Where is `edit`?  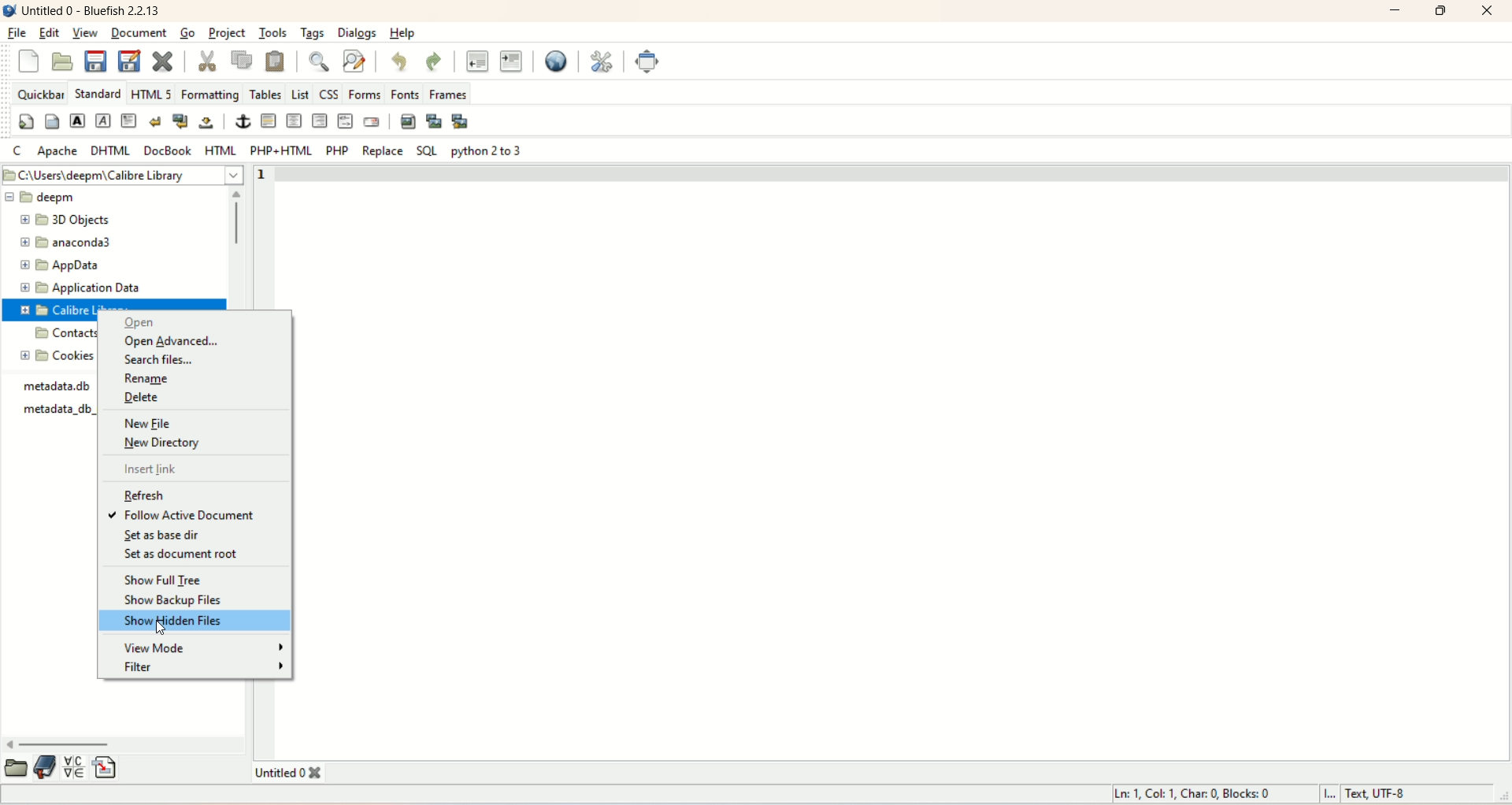
edit is located at coordinates (48, 33).